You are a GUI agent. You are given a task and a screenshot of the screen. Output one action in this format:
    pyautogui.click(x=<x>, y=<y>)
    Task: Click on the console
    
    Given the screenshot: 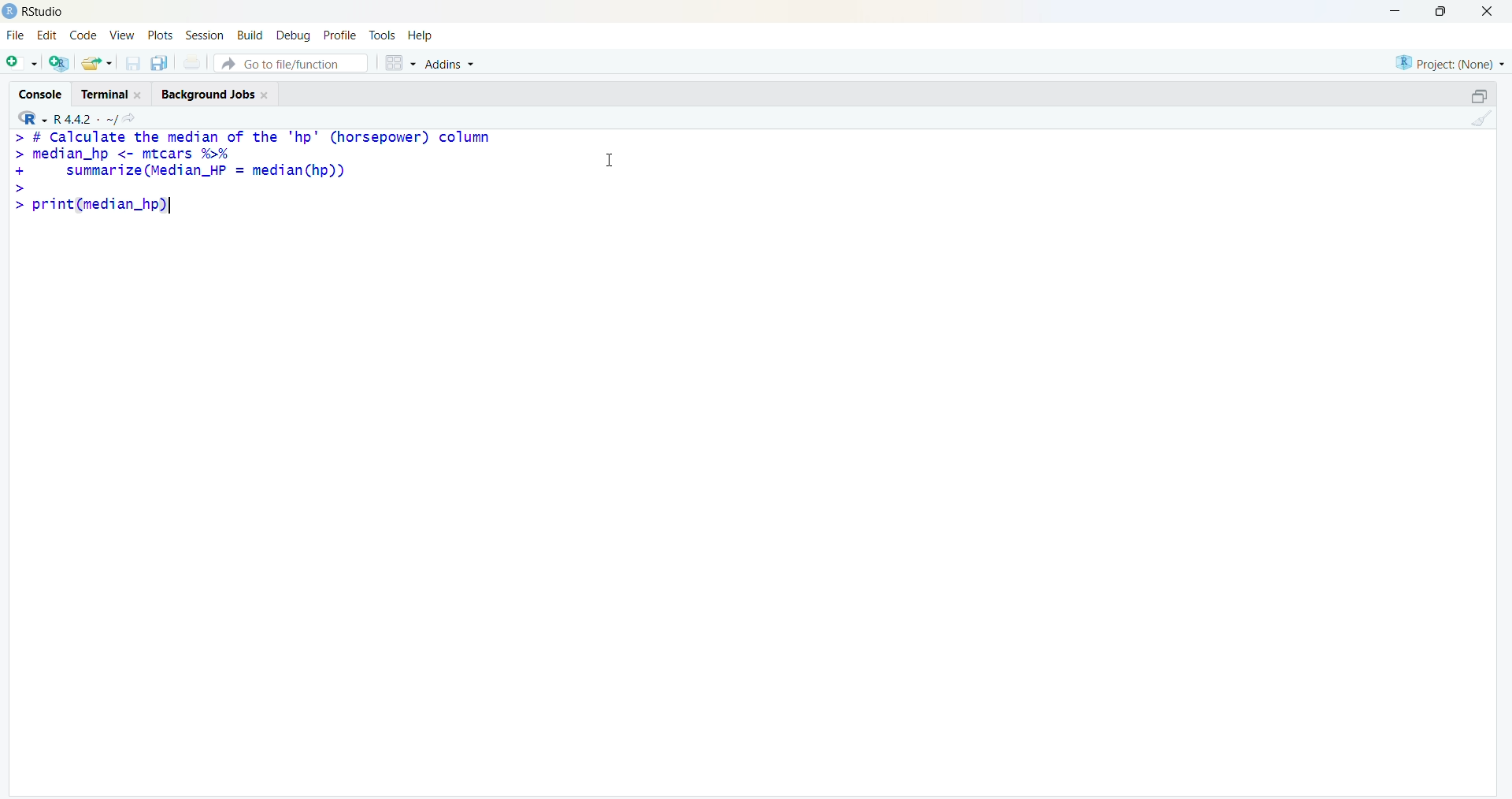 What is the action you would take?
    pyautogui.click(x=42, y=95)
    